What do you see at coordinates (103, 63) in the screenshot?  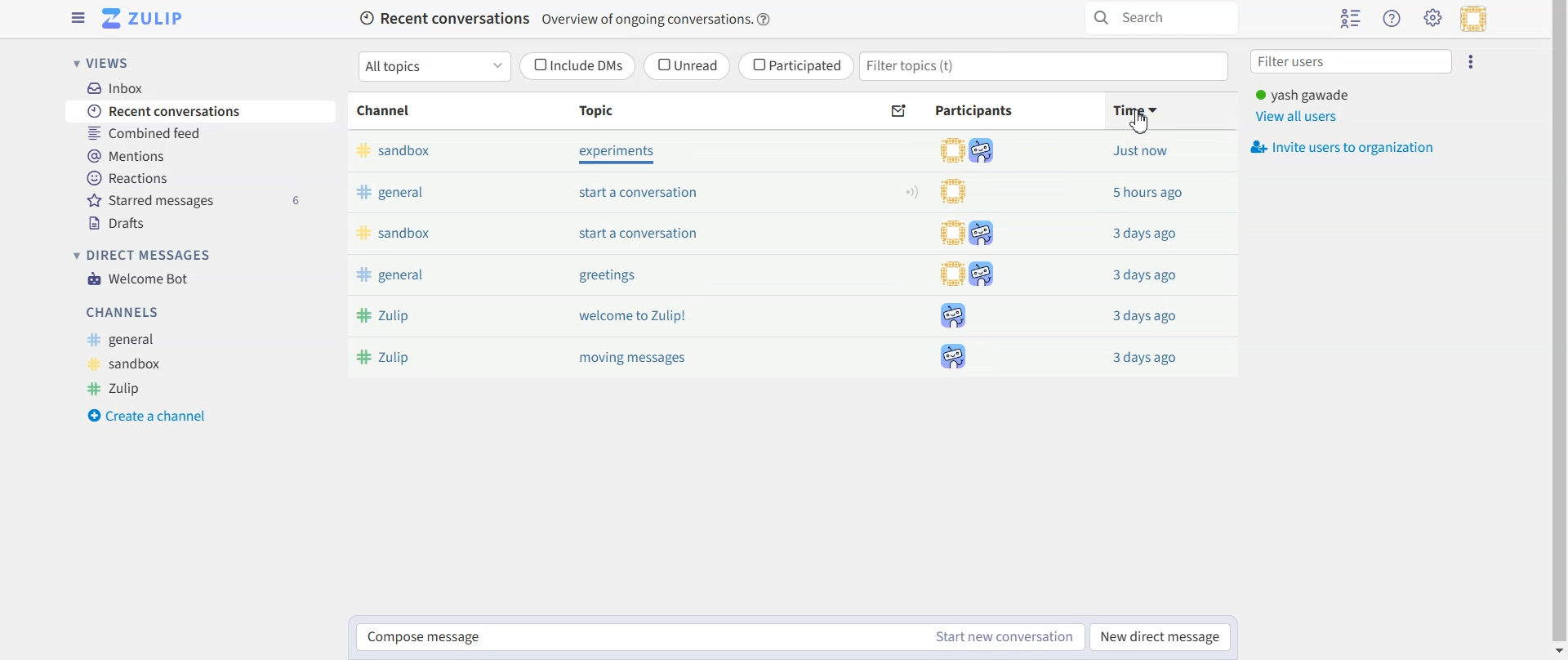 I see `Views` at bounding box center [103, 63].